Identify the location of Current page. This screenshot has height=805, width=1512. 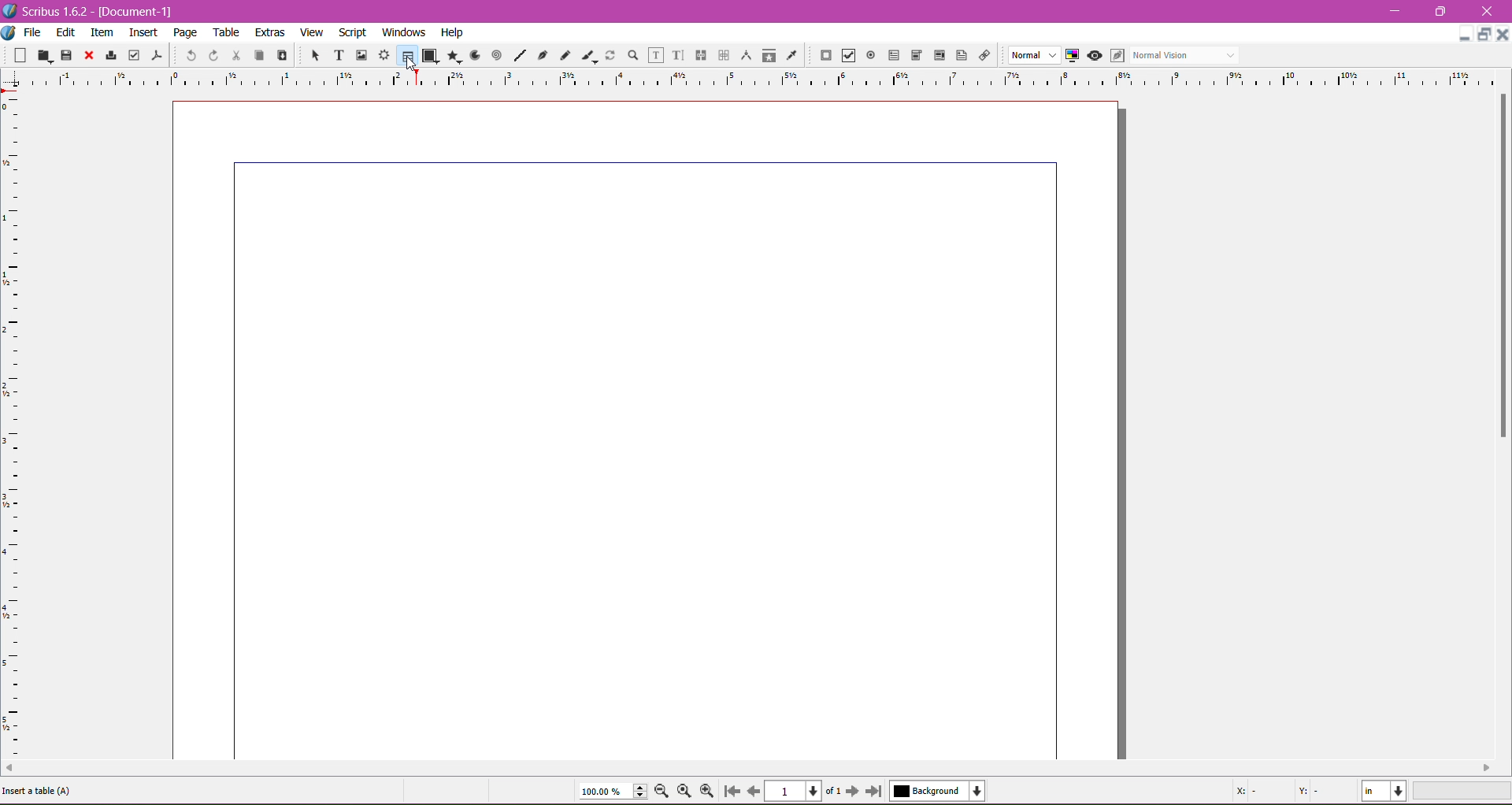
(649, 428).